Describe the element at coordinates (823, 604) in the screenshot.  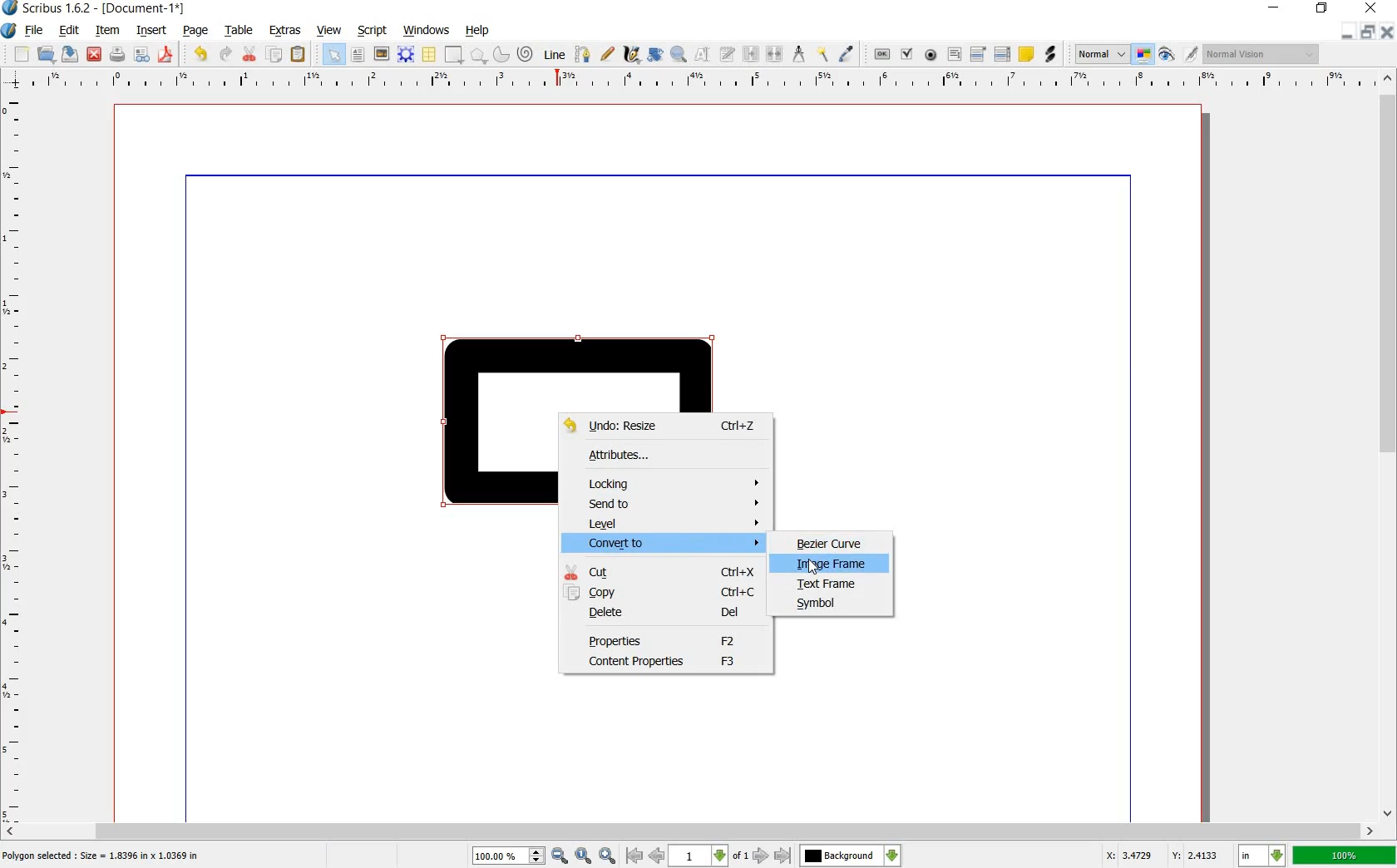
I see `SYMBOL` at that location.